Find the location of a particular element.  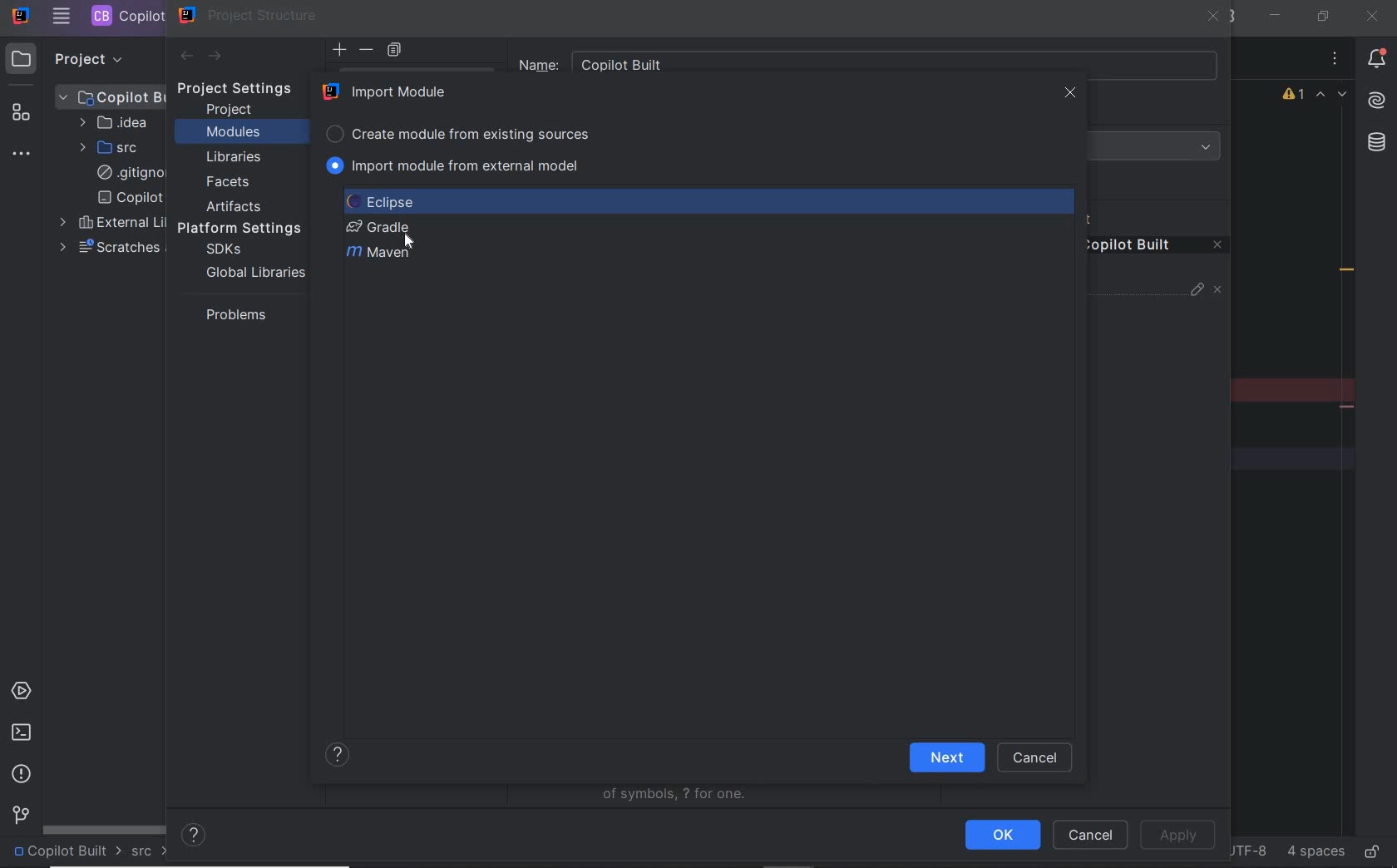

scratches and consoles is located at coordinates (109, 248).